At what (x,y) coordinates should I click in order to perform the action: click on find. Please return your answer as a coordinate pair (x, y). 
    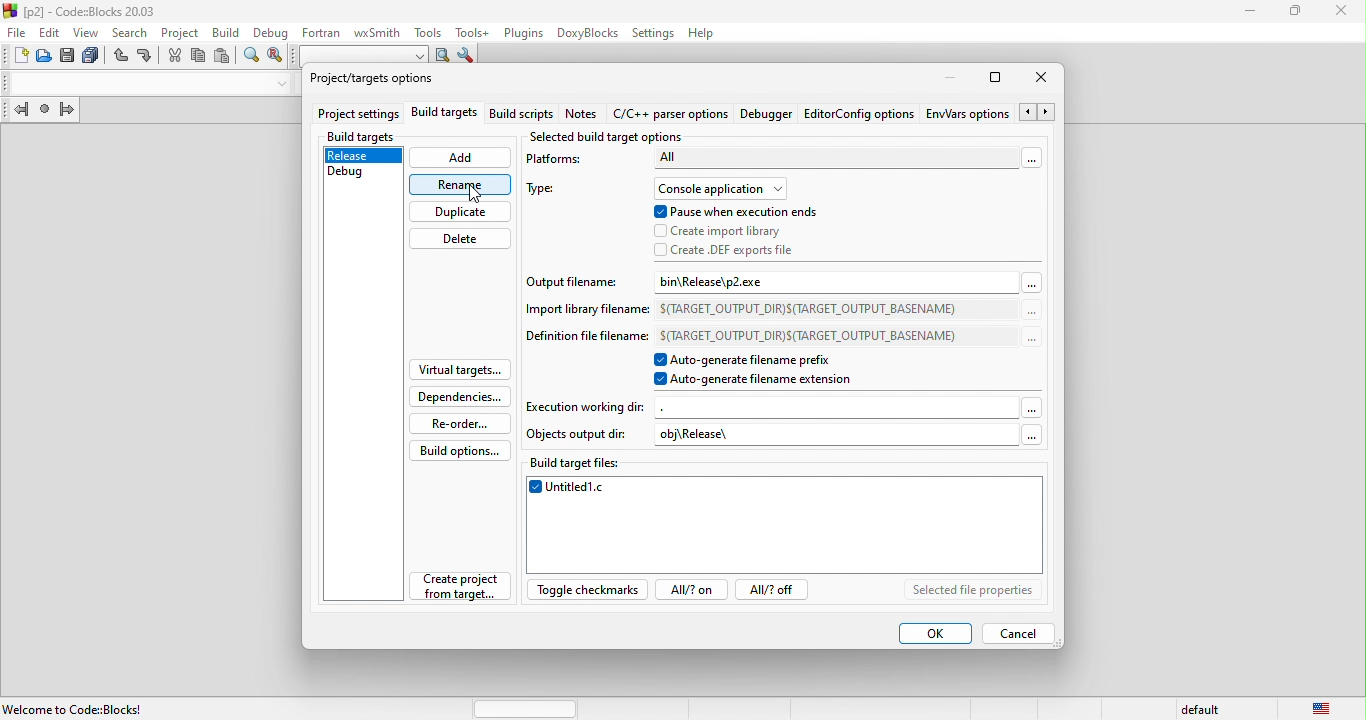
    Looking at the image, I should click on (252, 58).